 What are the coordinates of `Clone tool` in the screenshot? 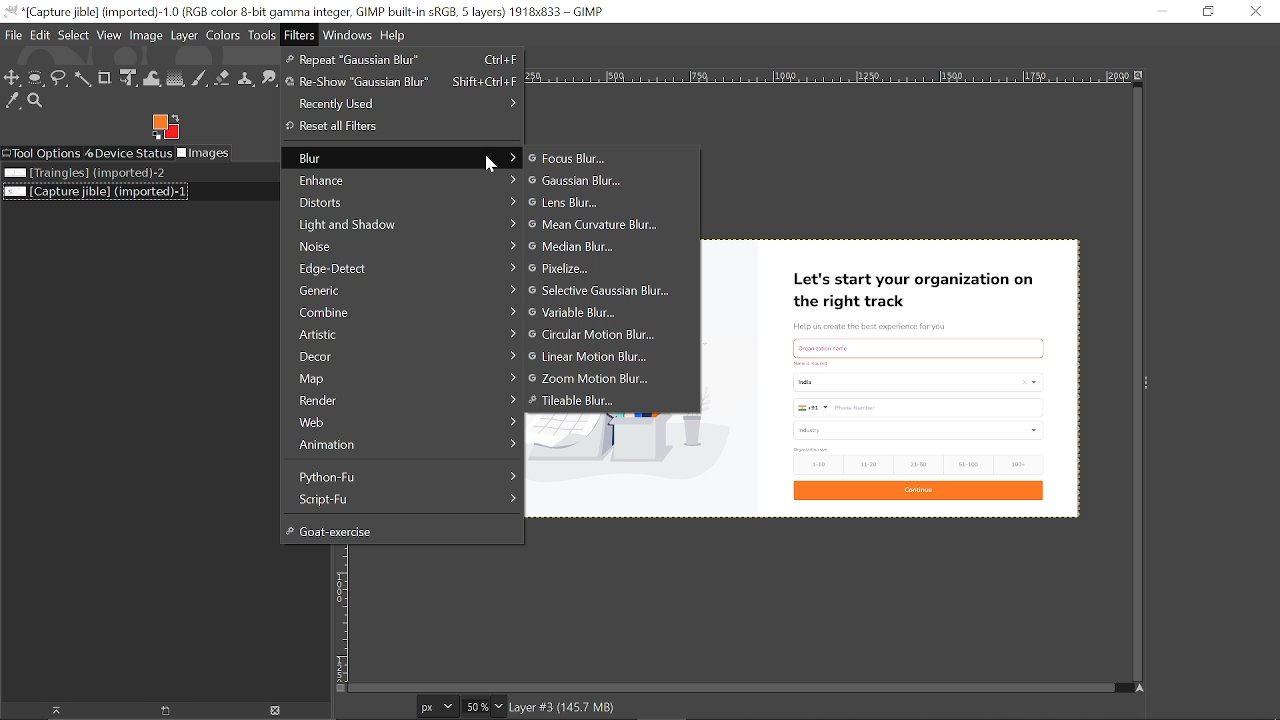 It's located at (247, 77).